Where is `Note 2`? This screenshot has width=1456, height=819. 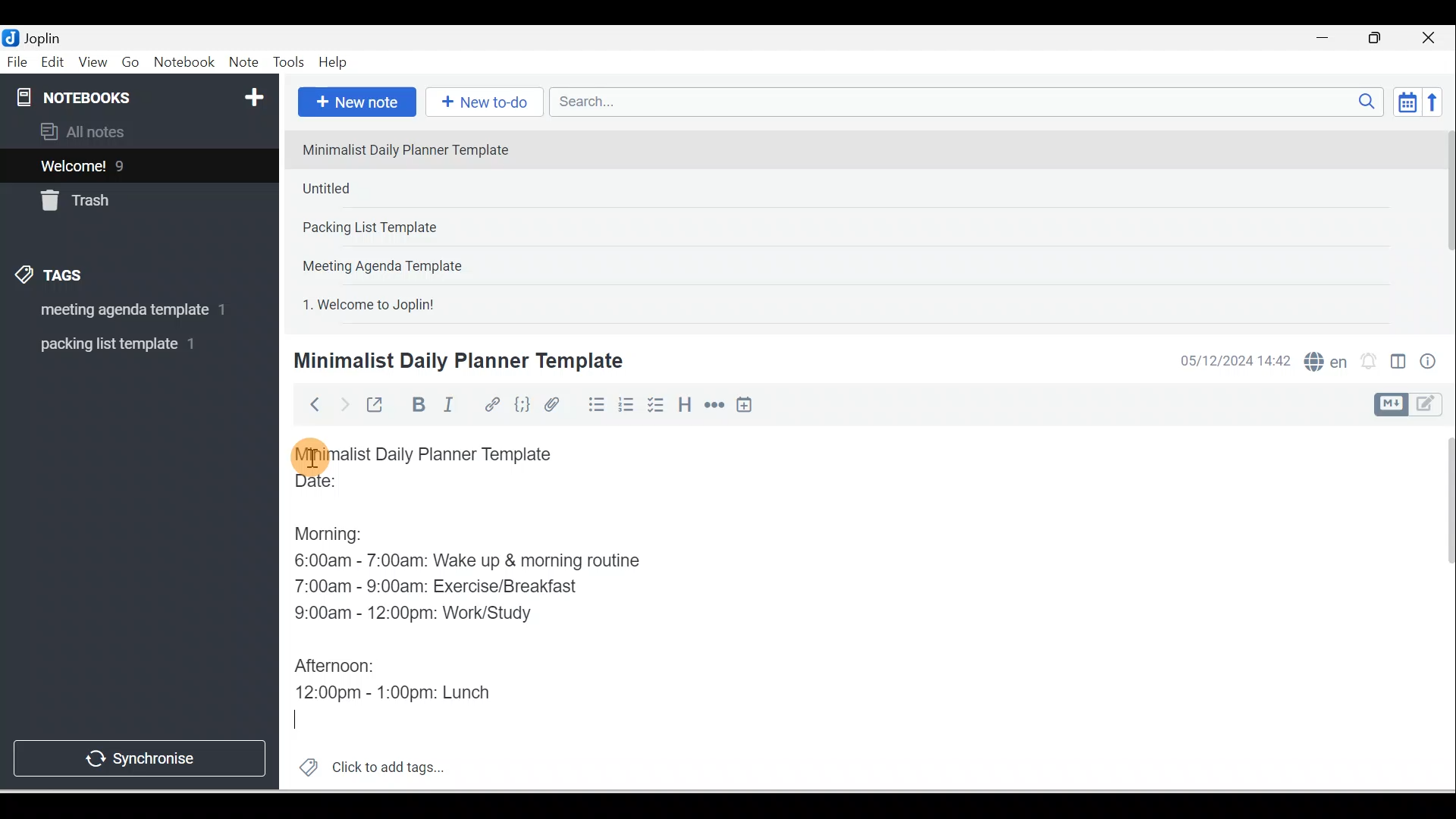
Note 2 is located at coordinates (401, 188).